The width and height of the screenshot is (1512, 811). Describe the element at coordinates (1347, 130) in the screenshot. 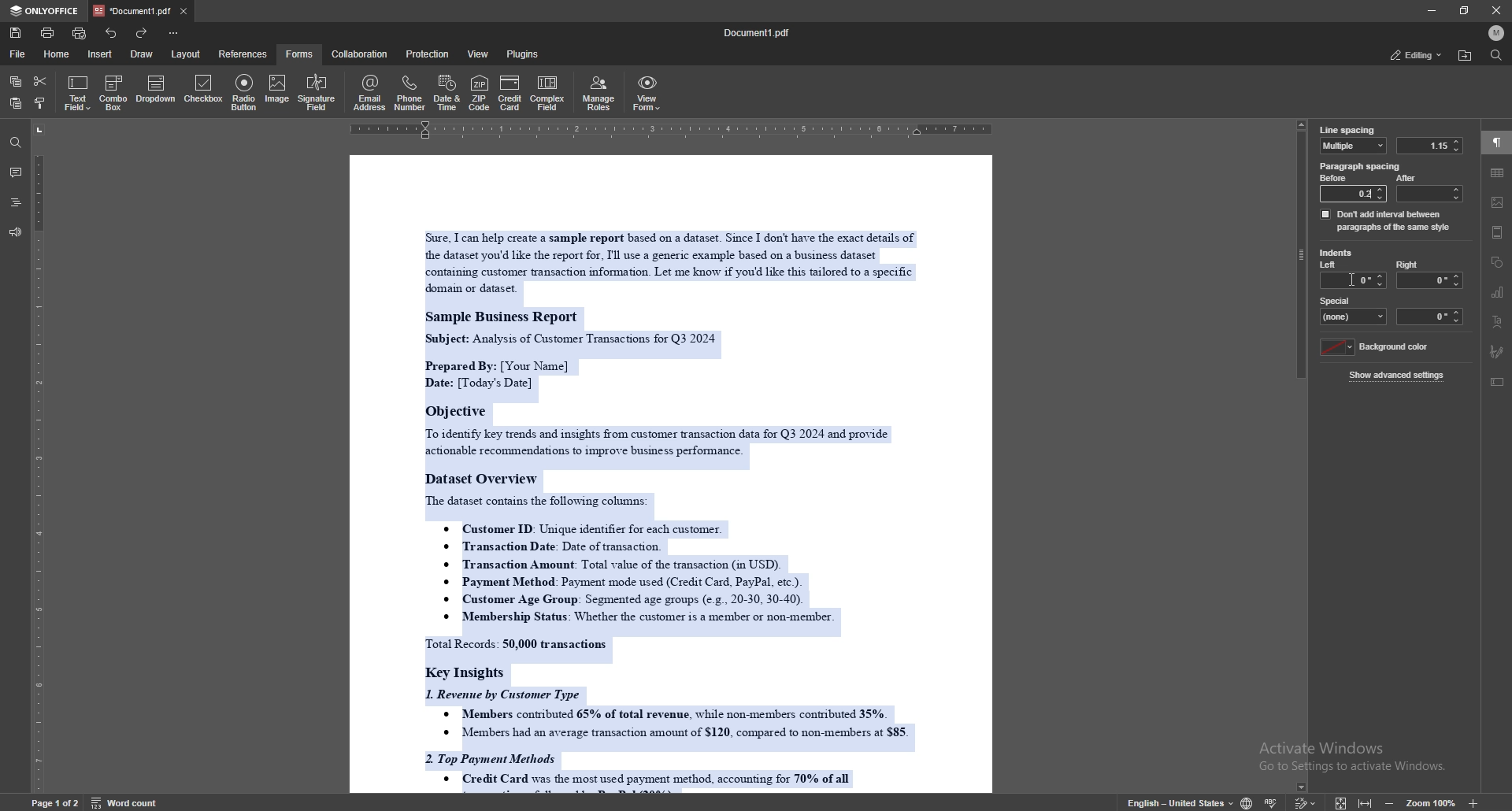

I see `line spacing` at that location.